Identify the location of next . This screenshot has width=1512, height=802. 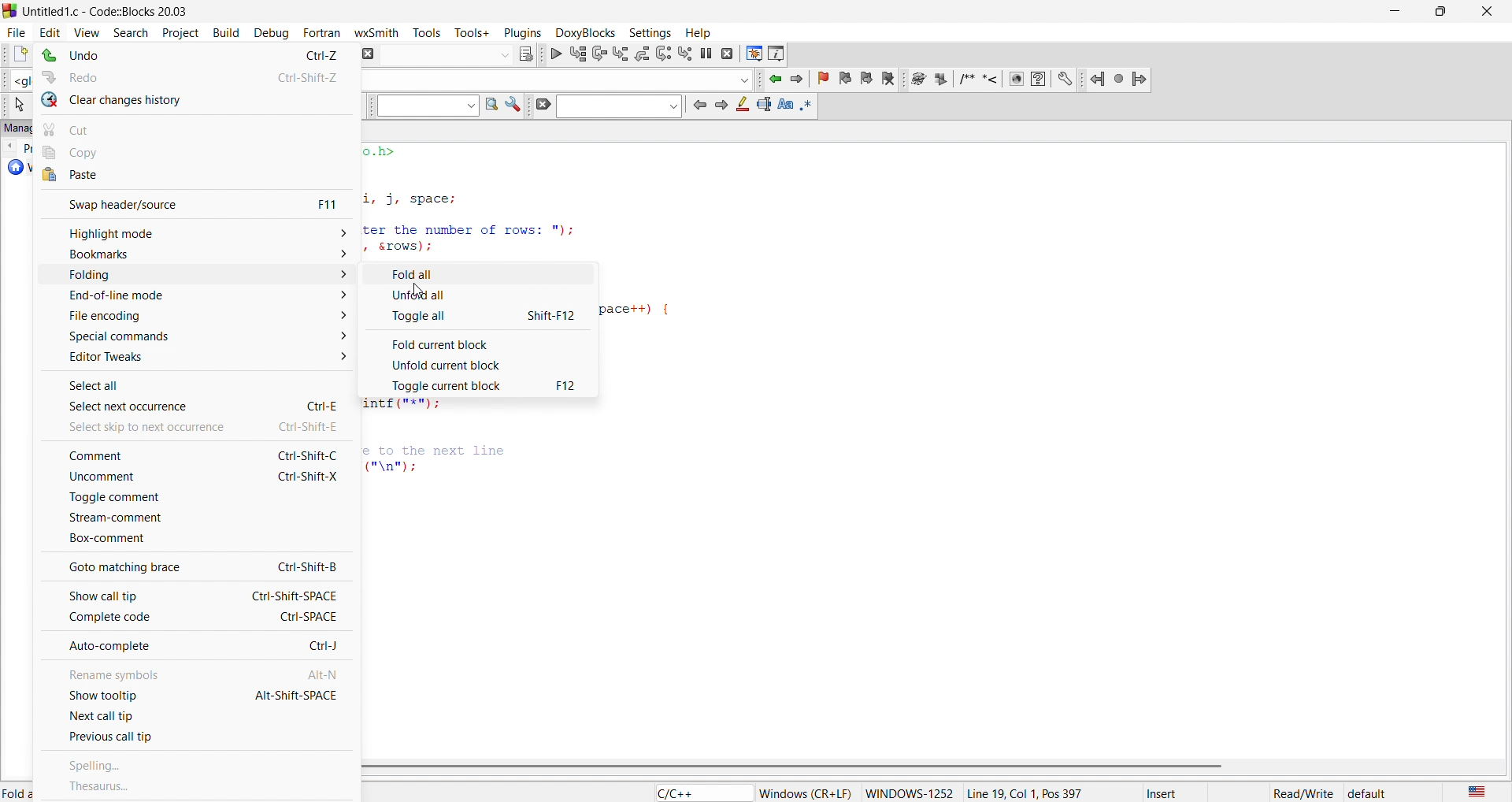
(720, 104).